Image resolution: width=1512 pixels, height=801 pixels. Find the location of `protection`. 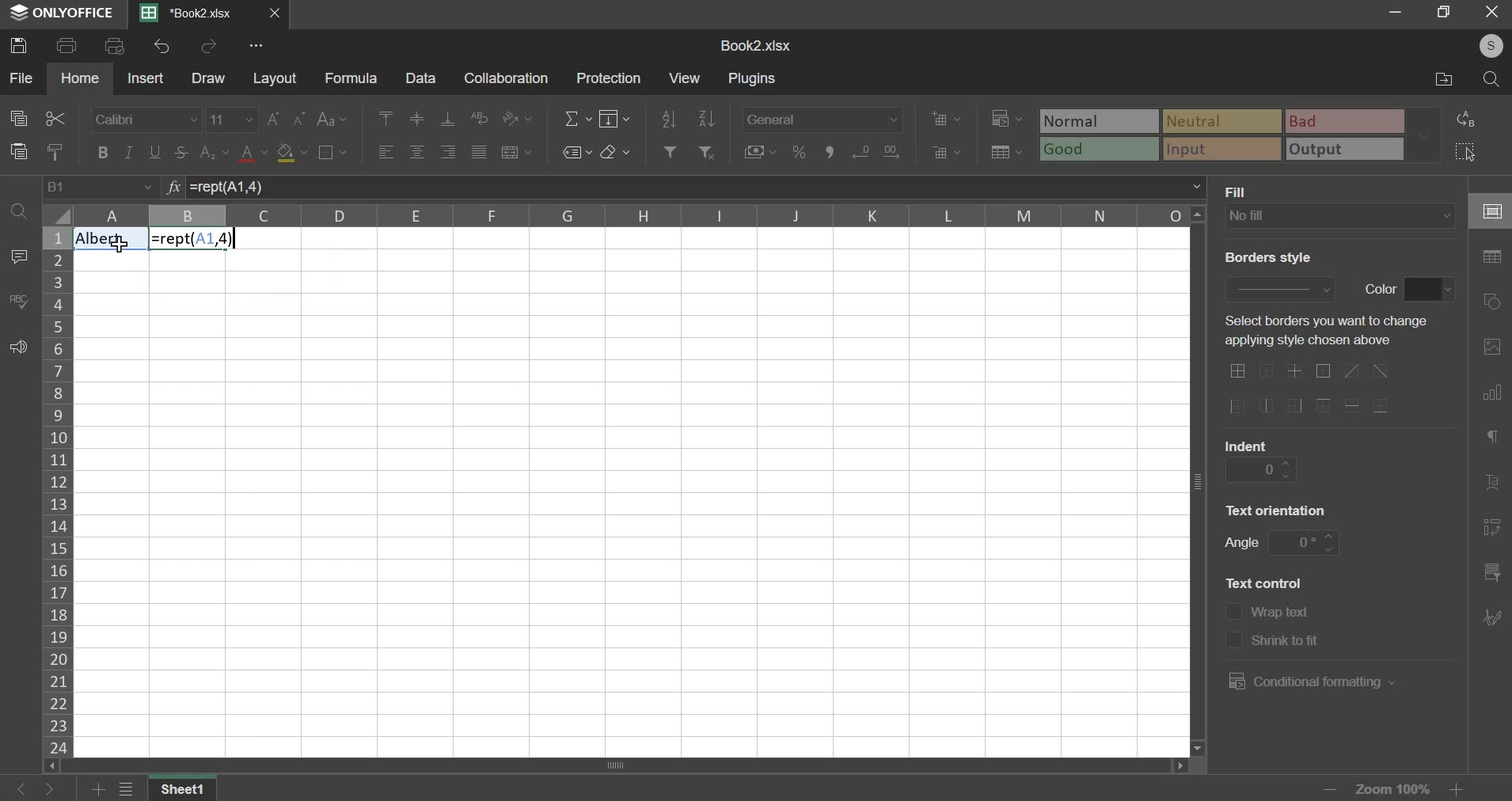

protection is located at coordinates (609, 77).